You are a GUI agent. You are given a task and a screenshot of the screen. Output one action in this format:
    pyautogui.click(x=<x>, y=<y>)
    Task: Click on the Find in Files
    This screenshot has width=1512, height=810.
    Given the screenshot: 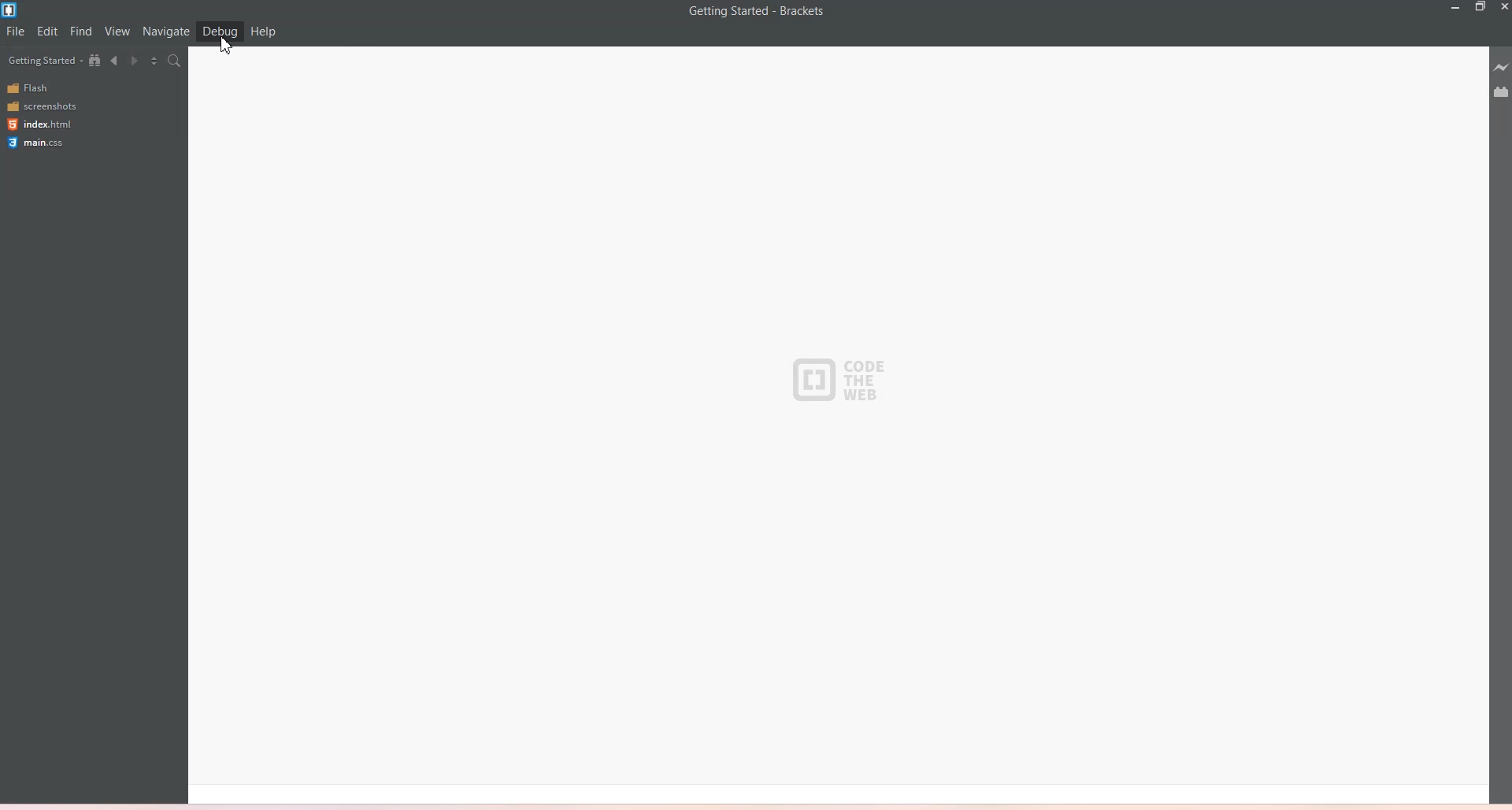 What is the action you would take?
    pyautogui.click(x=176, y=61)
    